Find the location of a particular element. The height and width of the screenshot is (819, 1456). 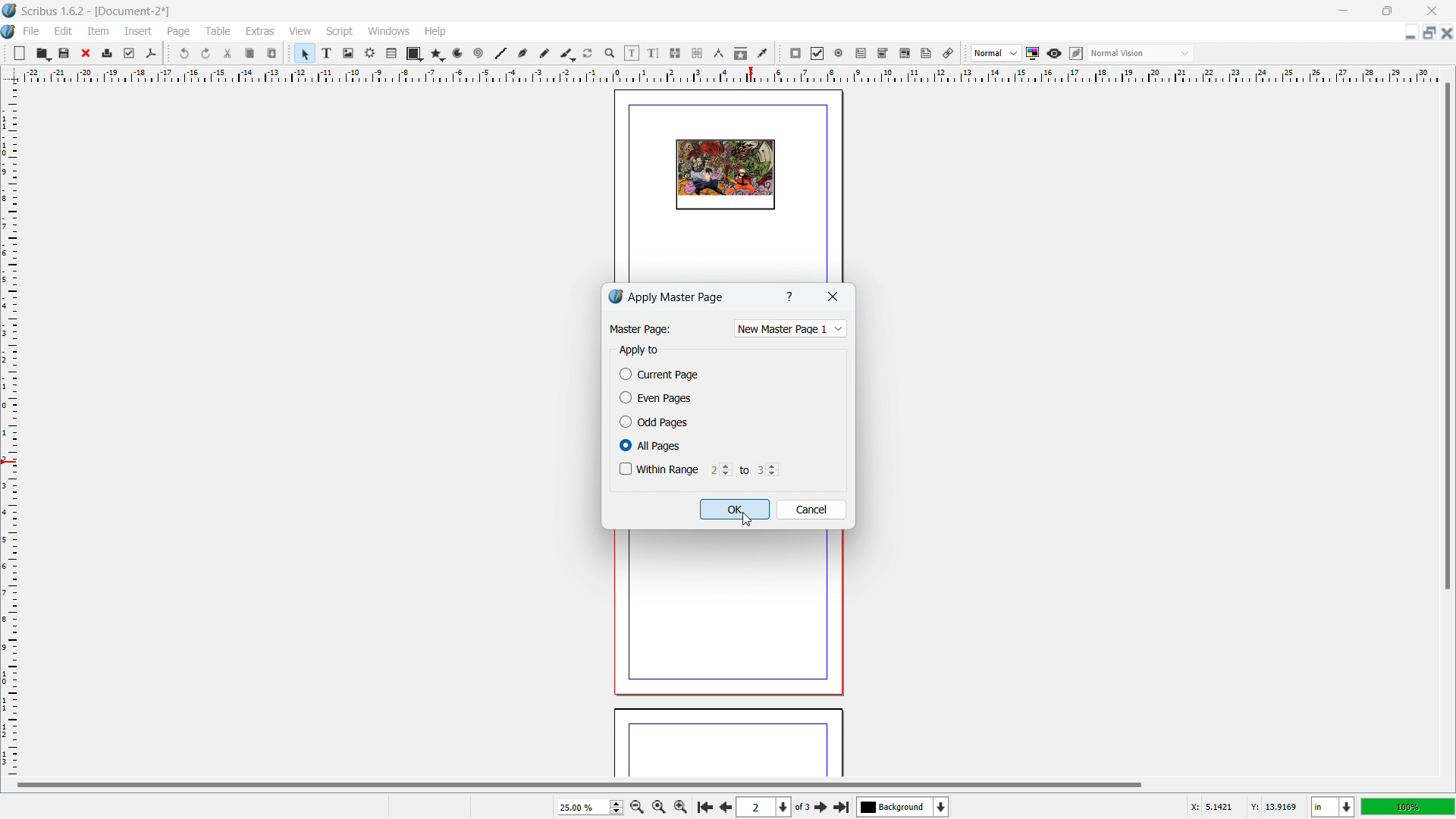

range starting from page number is located at coordinates (718, 469).